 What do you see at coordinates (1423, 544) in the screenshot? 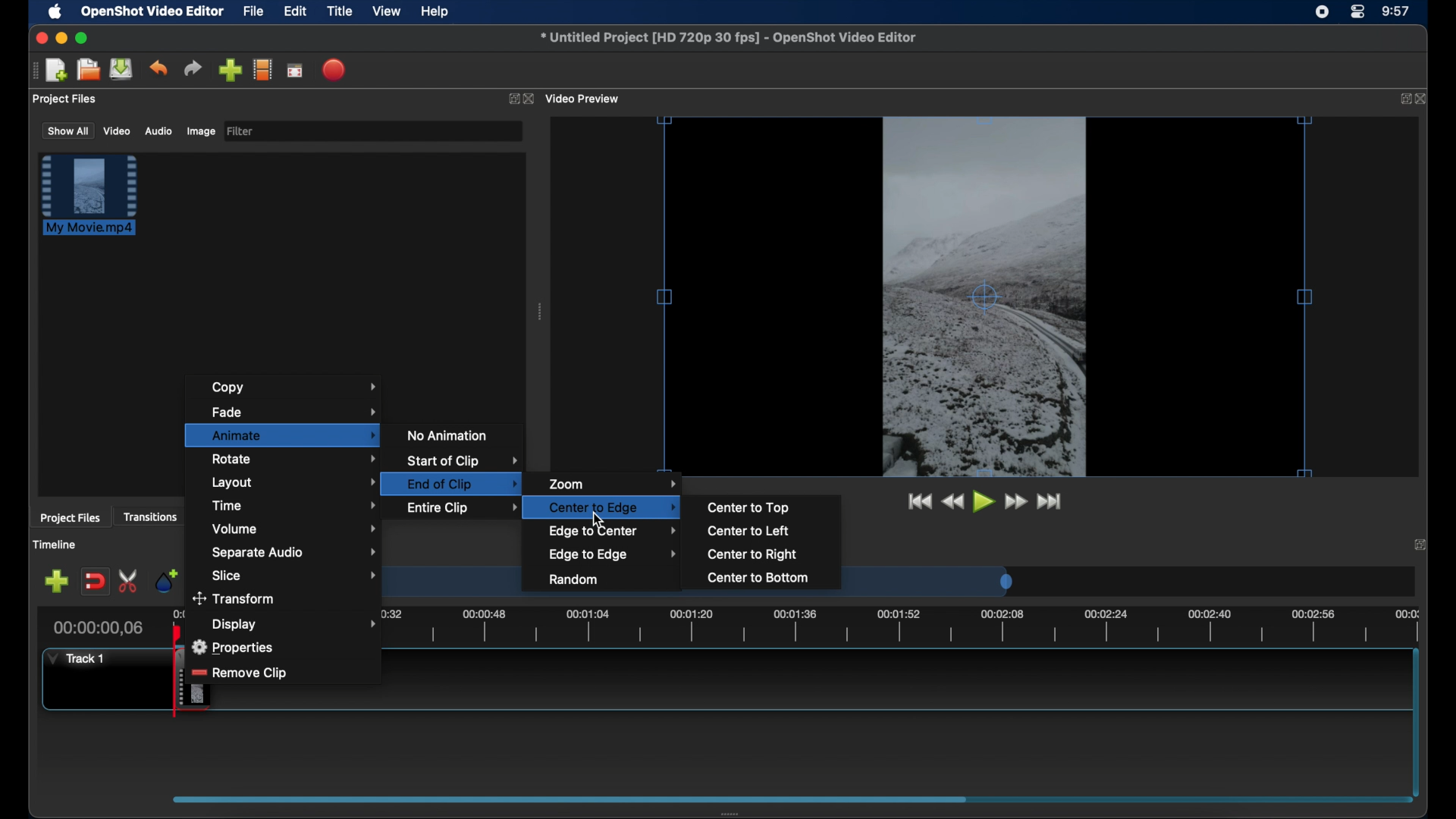
I see `expand` at bounding box center [1423, 544].